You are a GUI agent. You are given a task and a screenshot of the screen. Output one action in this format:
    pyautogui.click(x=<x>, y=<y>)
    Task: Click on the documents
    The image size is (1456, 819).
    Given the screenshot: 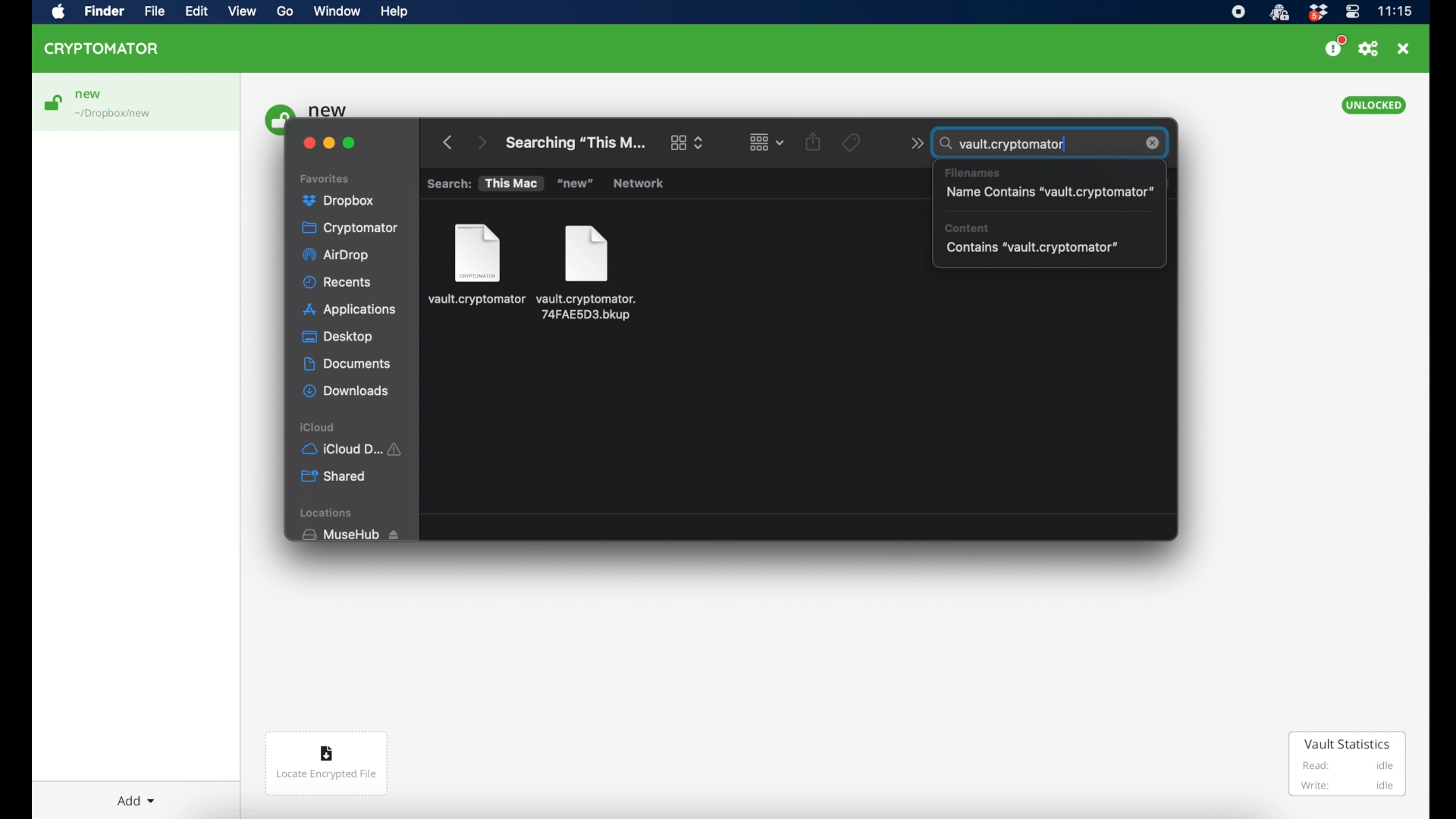 What is the action you would take?
    pyautogui.click(x=347, y=364)
    